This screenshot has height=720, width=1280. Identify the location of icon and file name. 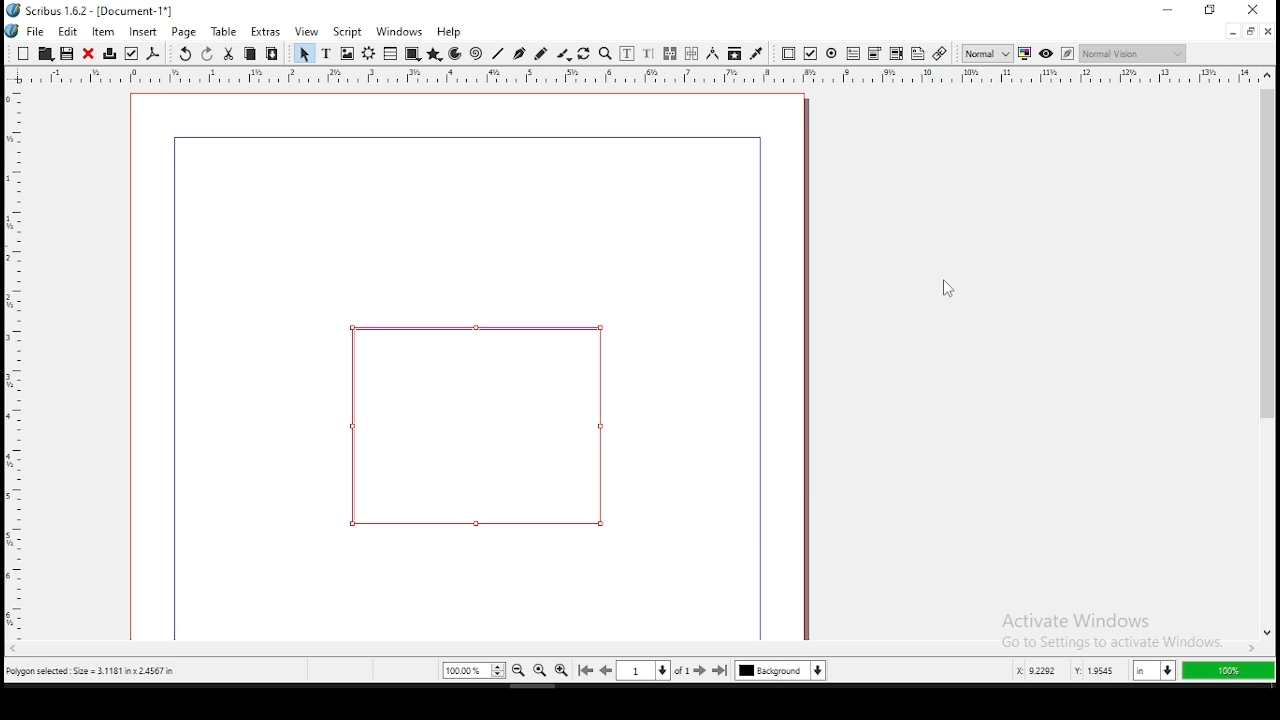
(91, 11).